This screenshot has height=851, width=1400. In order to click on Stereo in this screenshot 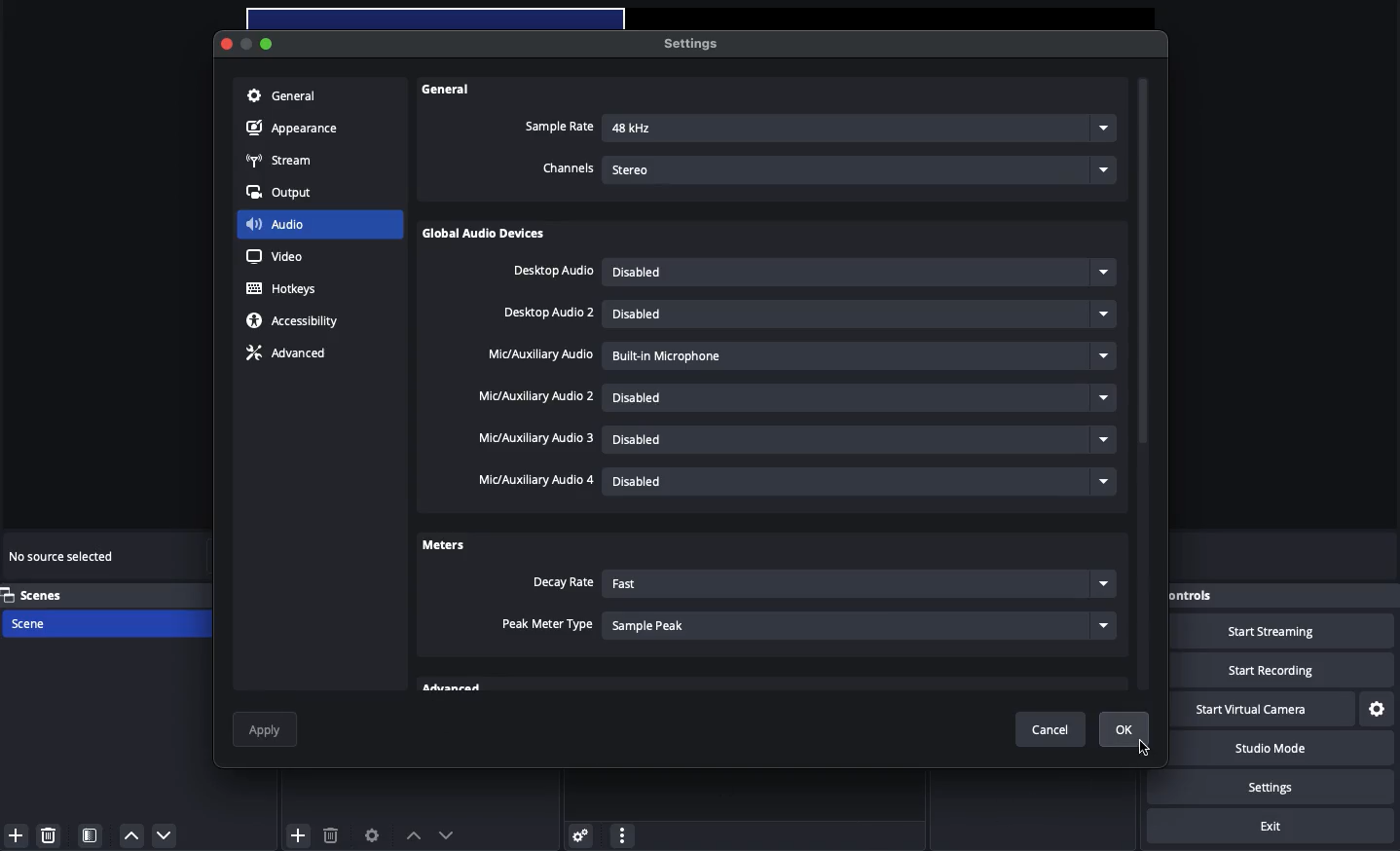, I will do `click(863, 167)`.